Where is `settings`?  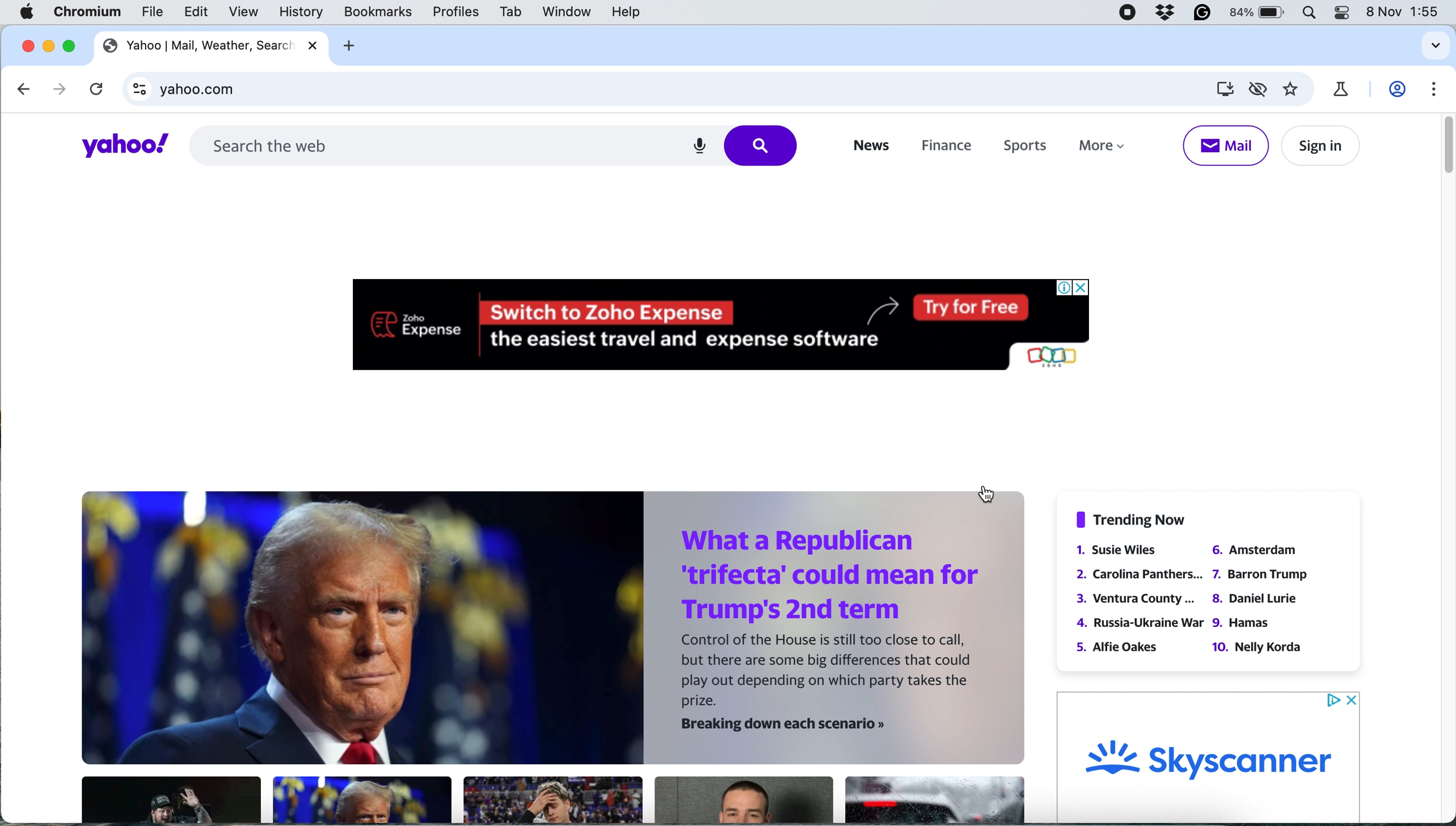 settings is located at coordinates (1430, 87).